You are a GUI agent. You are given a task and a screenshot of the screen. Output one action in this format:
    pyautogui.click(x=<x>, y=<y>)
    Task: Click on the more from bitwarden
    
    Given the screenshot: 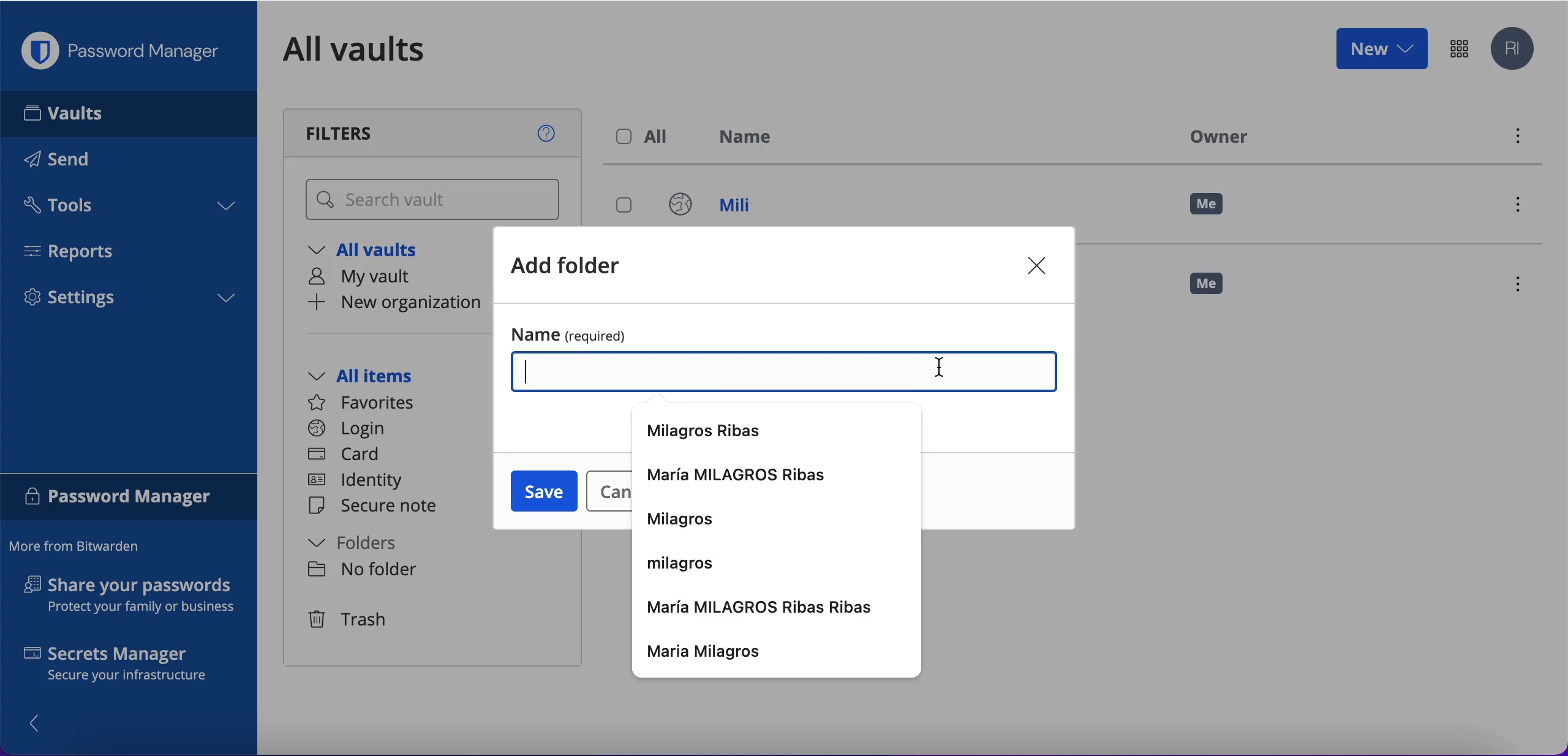 What is the action you would take?
    pyautogui.click(x=80, y=547)
    